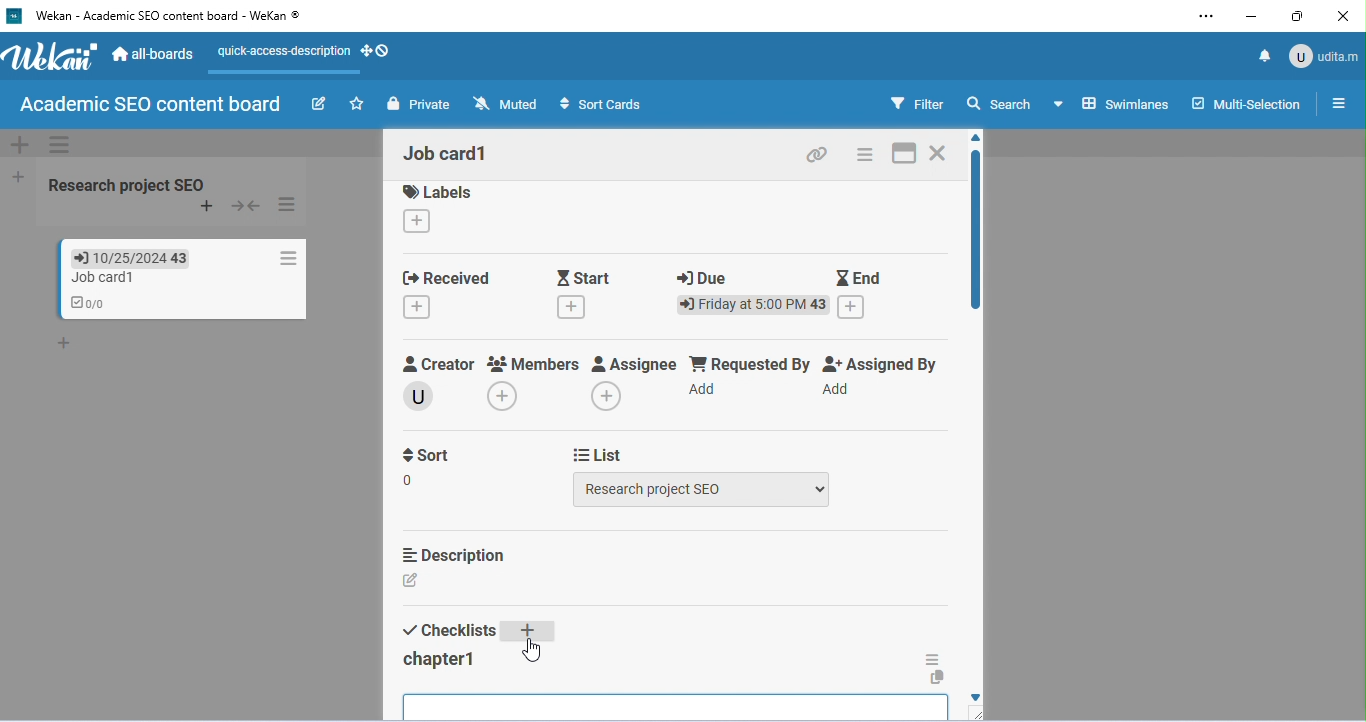 The image size is (1366, 722). What do you see at coordinates (932, 658) in the screenshot?
I see `checklist actions` at bounding box center [932, 658].